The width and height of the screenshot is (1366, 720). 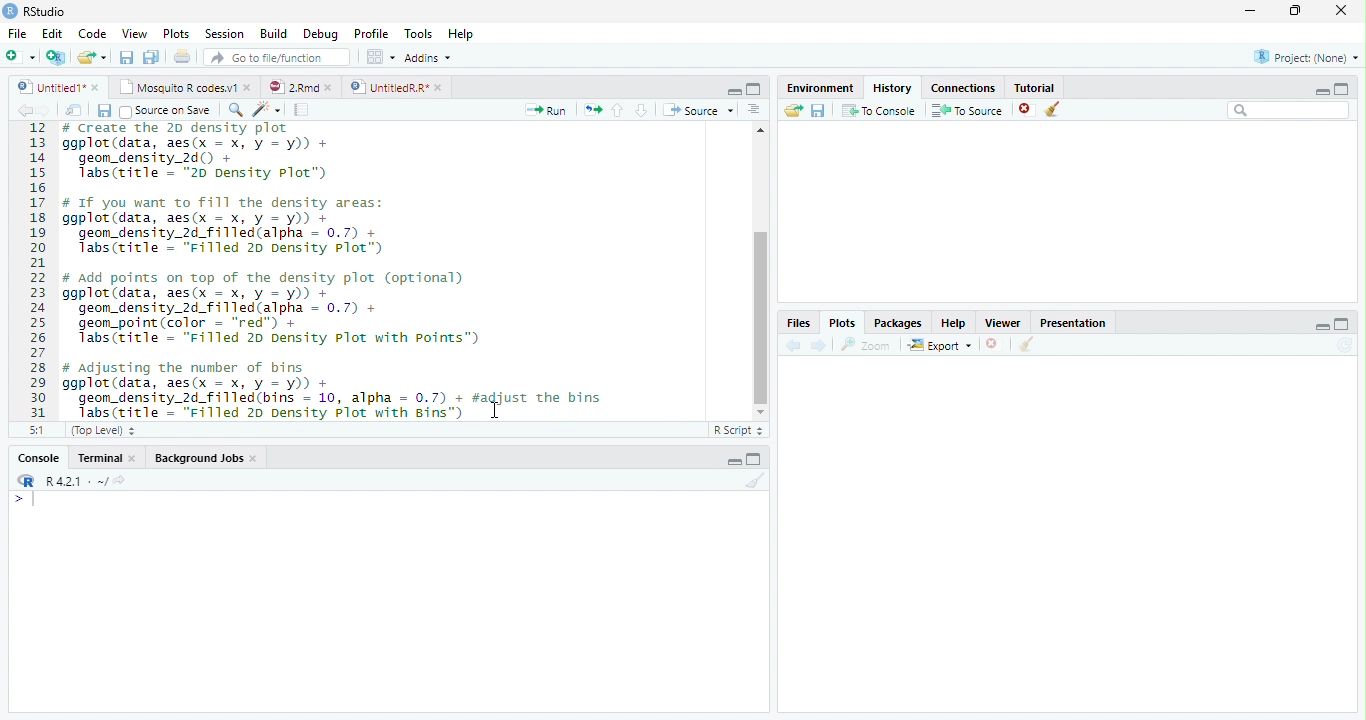 I want to click on clear, so click(x=1026, y=346).